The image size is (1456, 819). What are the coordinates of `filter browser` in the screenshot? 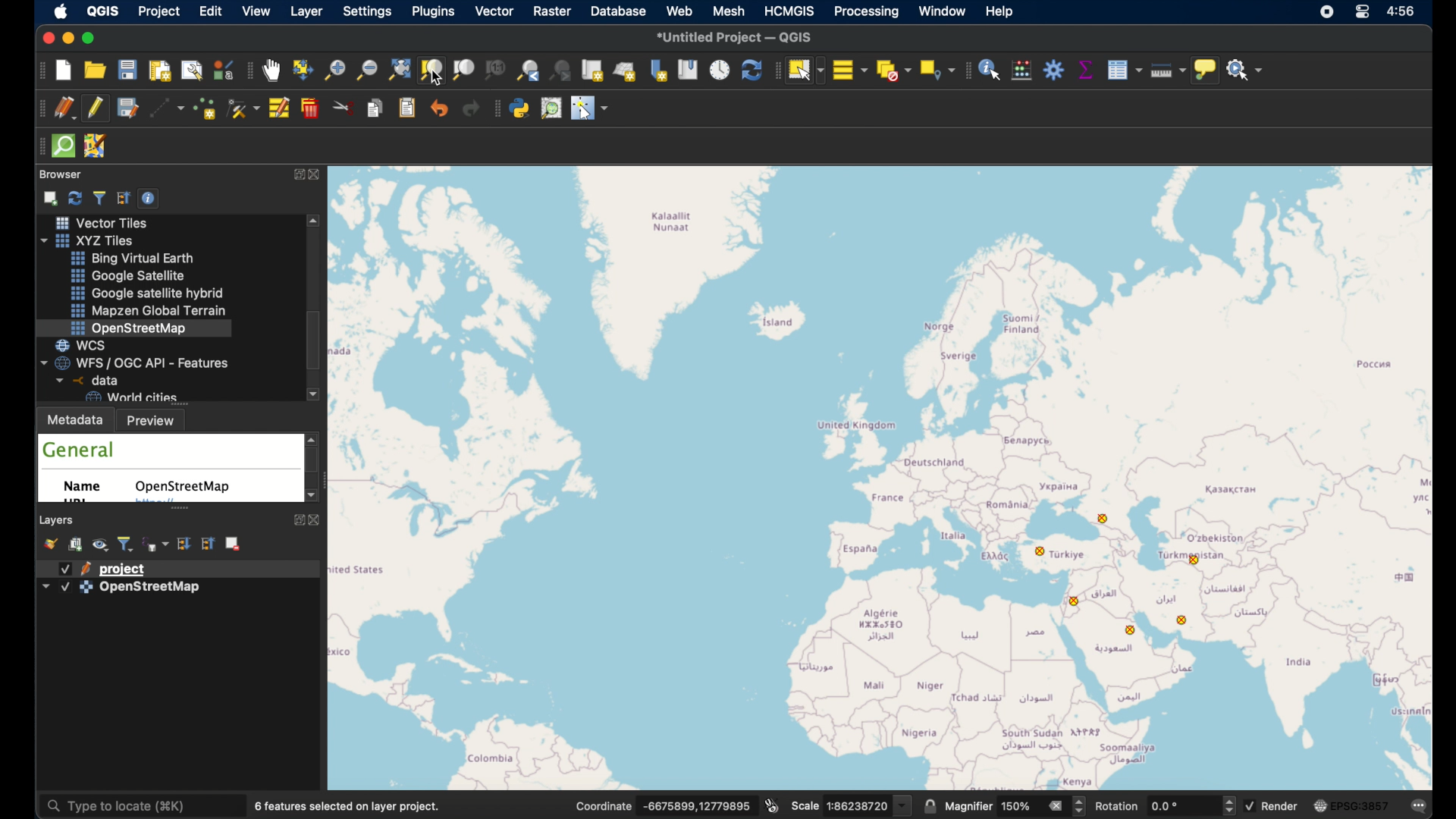 It's located at (99, 196).